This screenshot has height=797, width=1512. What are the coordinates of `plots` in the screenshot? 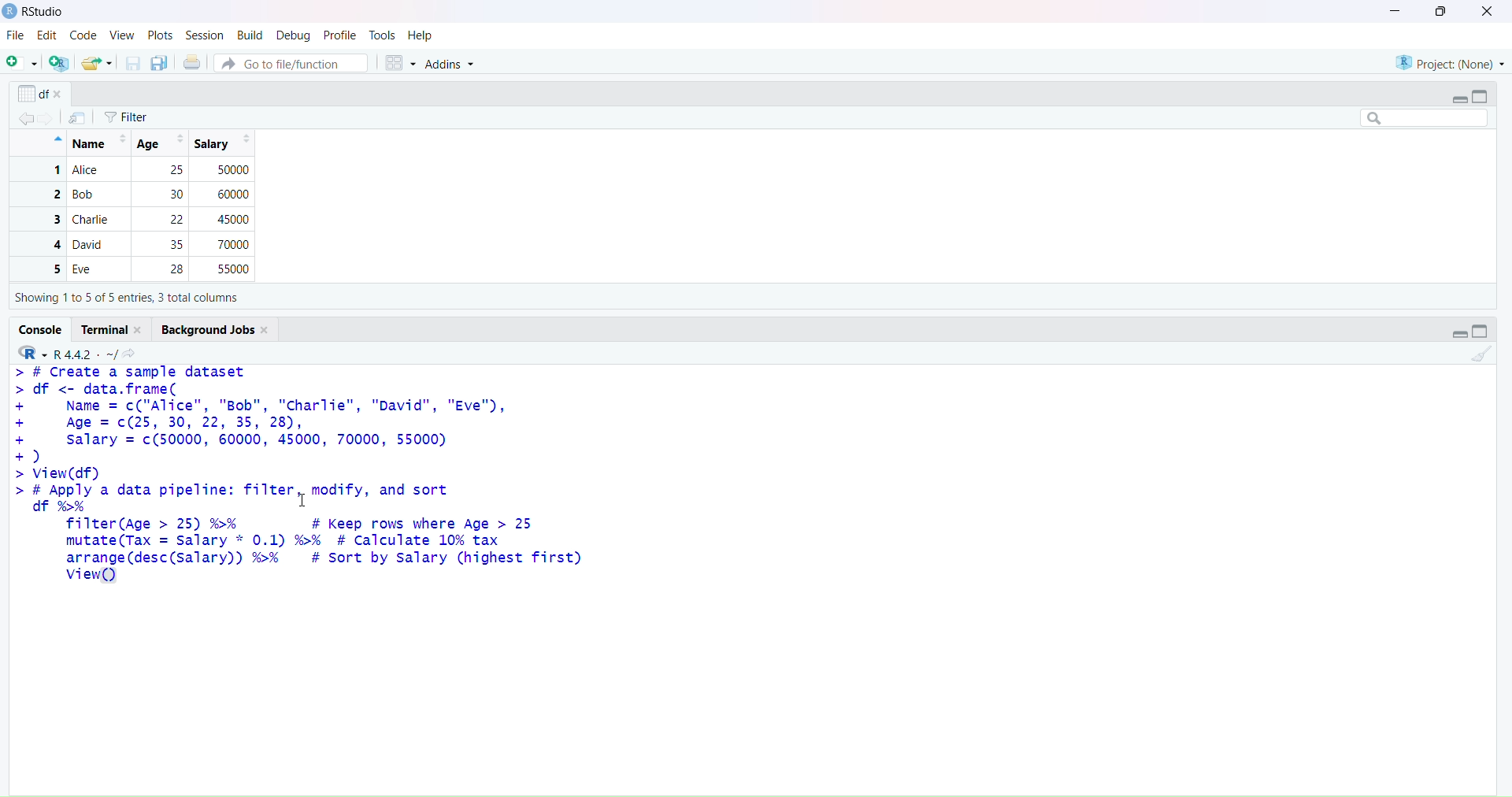 It's located at (160, 35).